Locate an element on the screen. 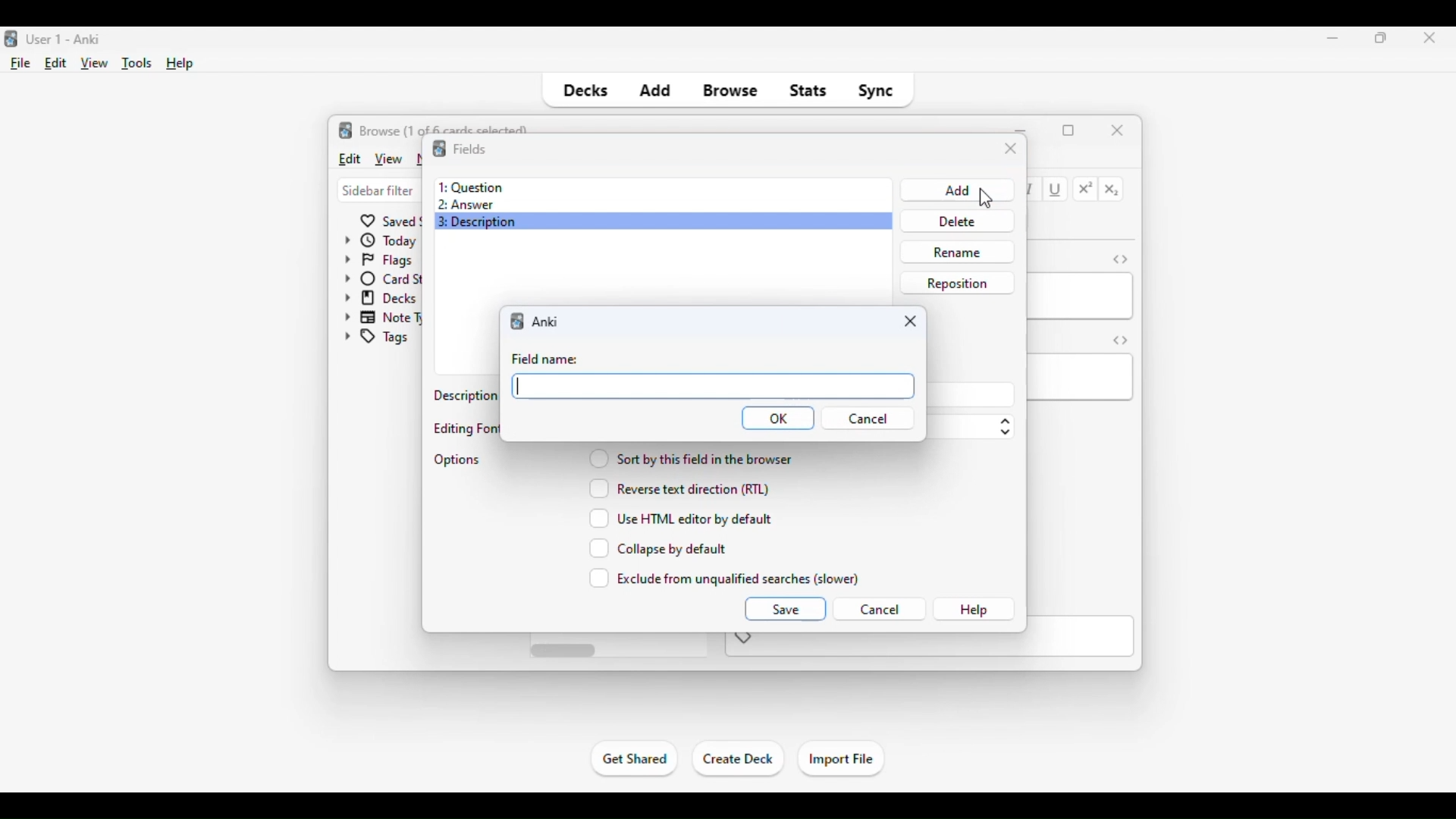 This screenshot has height=819, width=1456. edit is located at coordinates (56, 63).